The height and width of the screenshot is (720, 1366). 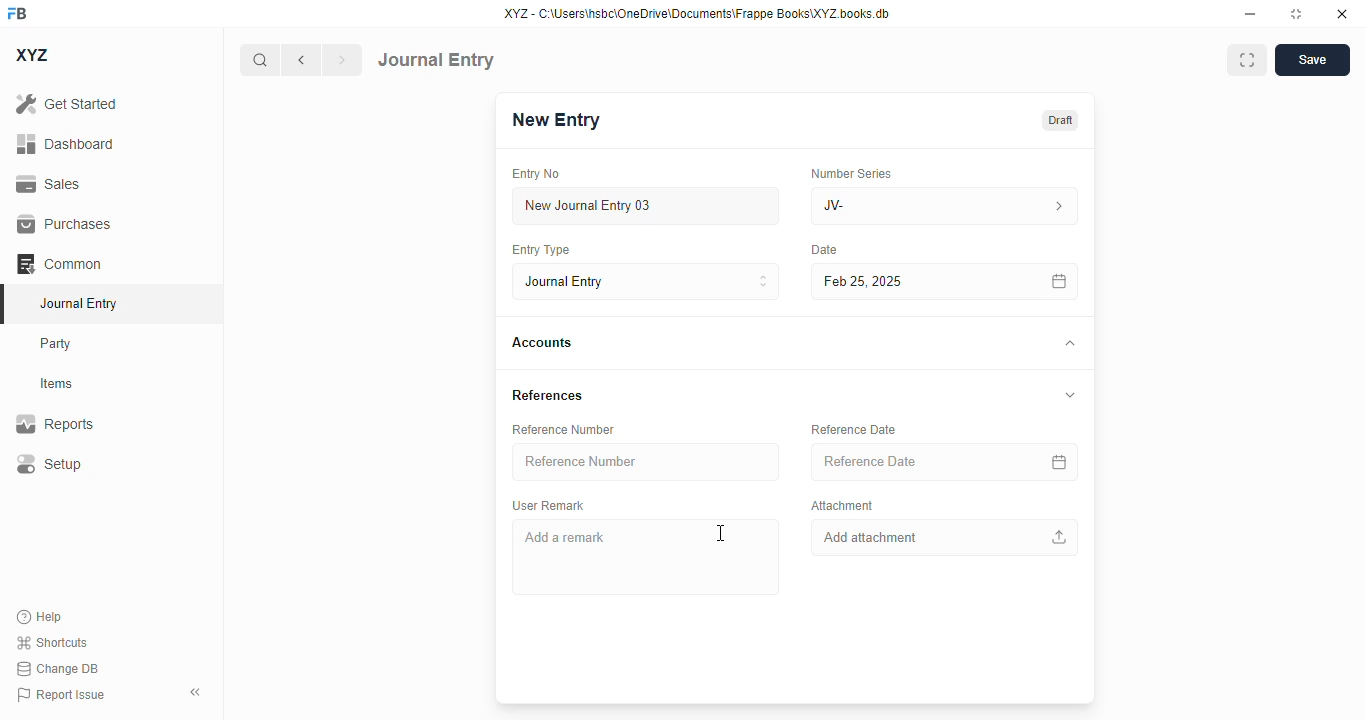 I want to click on toggle sidebar, so click(x=197, y=692).